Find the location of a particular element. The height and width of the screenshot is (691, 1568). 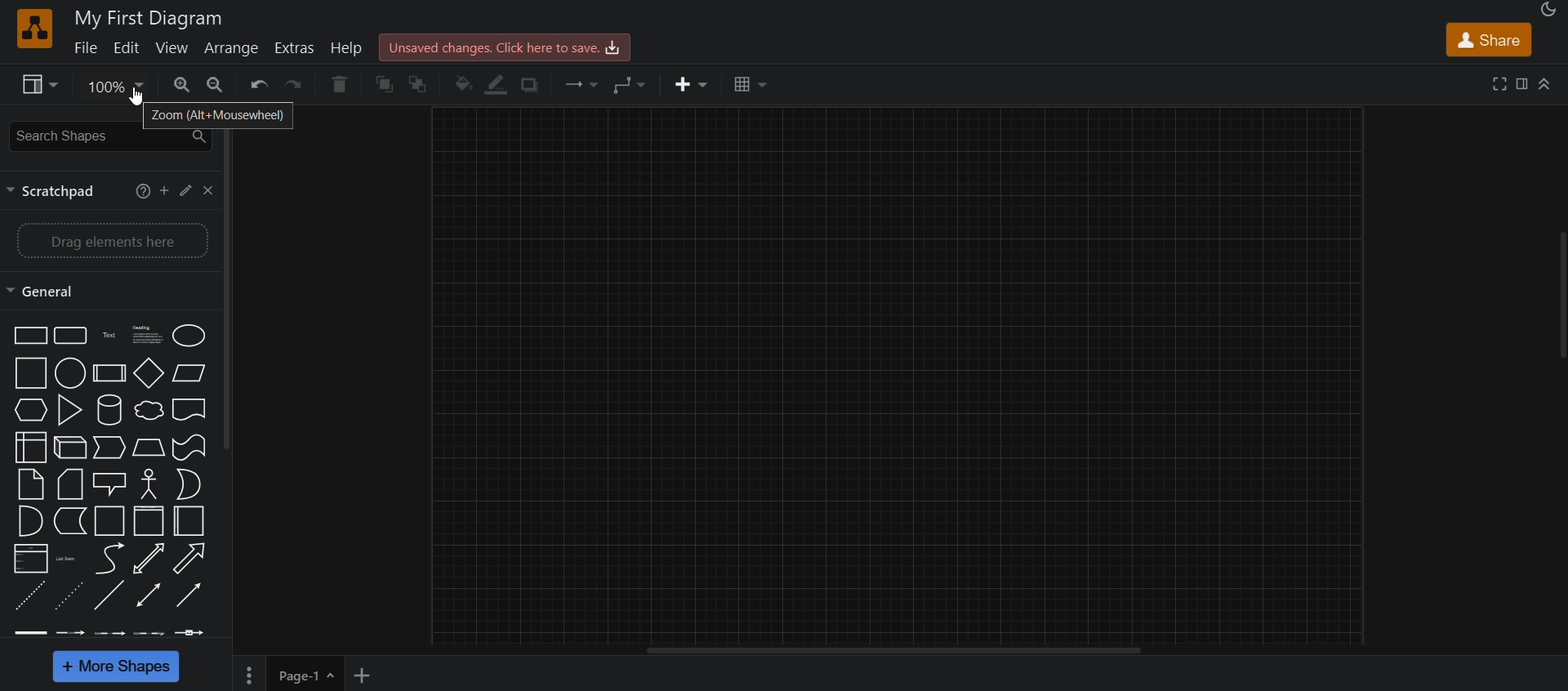

zoom out is located at coordinates (221, 86).